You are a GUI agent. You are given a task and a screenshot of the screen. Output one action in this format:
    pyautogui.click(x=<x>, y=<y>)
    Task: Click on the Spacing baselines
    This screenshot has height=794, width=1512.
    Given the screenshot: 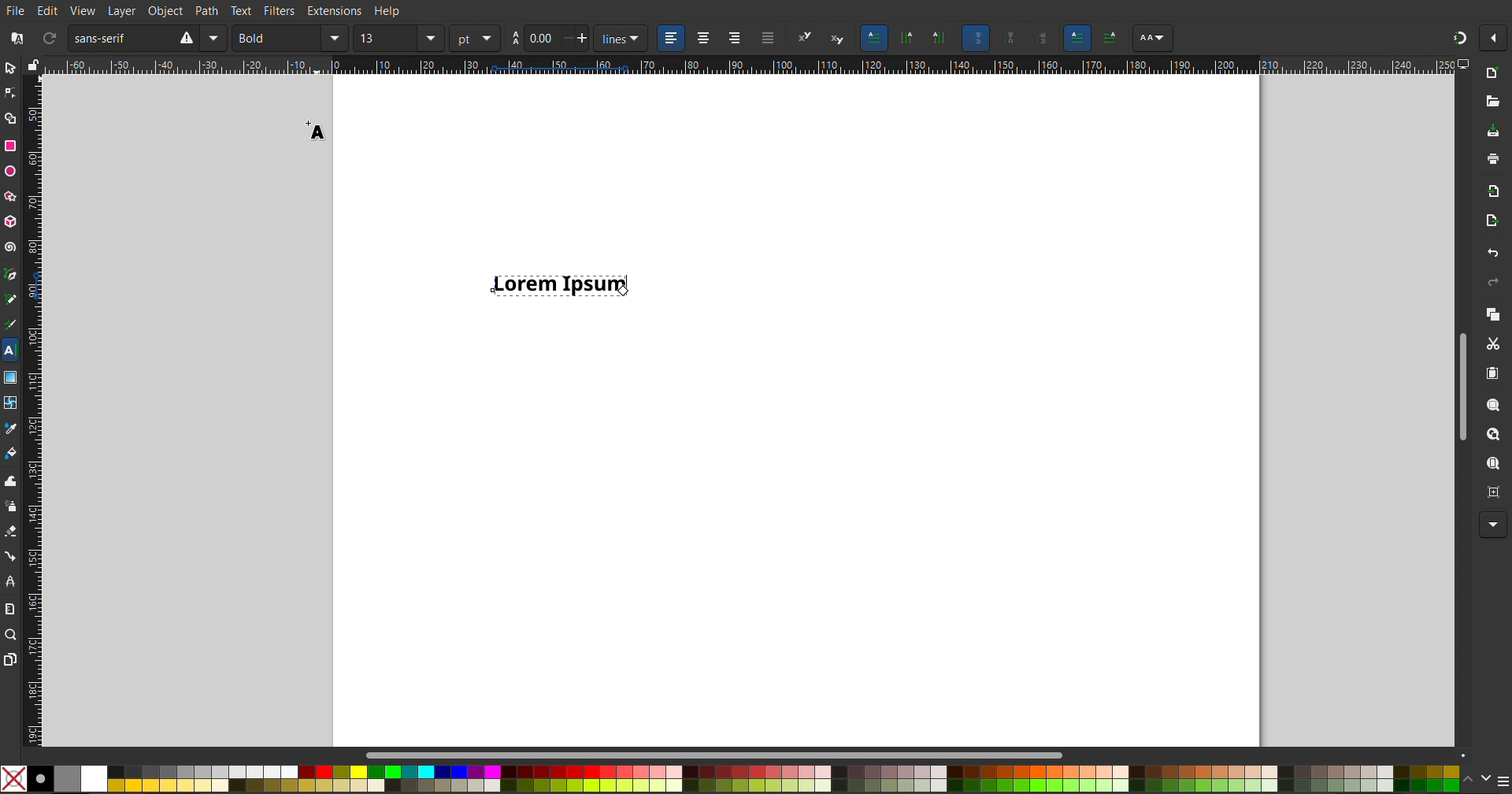 What is the action you would take?
    pyautogui.click(x=550, y=39)
    